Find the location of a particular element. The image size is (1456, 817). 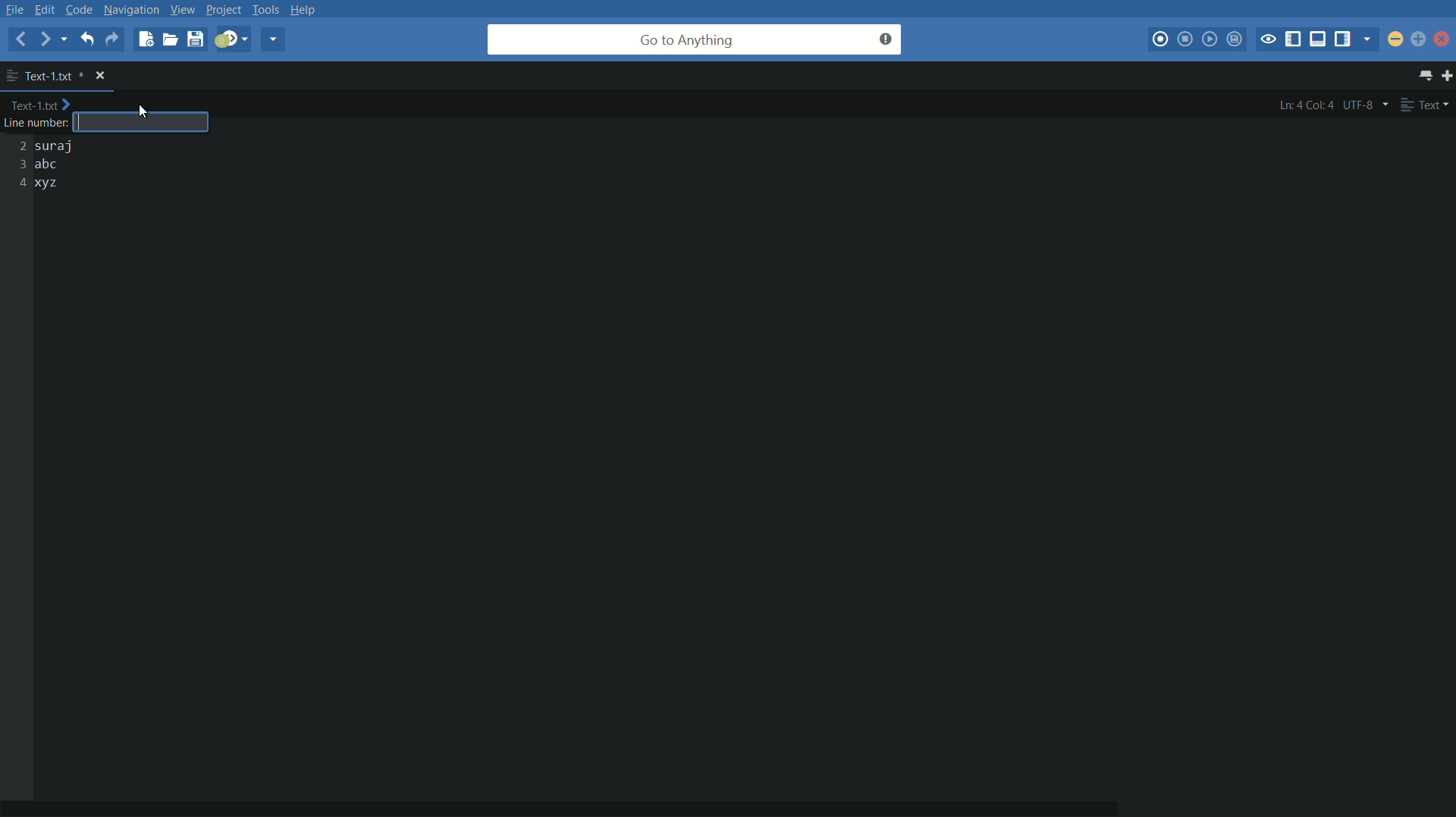

show/hide right panel is located at coordinates (1345, 39).